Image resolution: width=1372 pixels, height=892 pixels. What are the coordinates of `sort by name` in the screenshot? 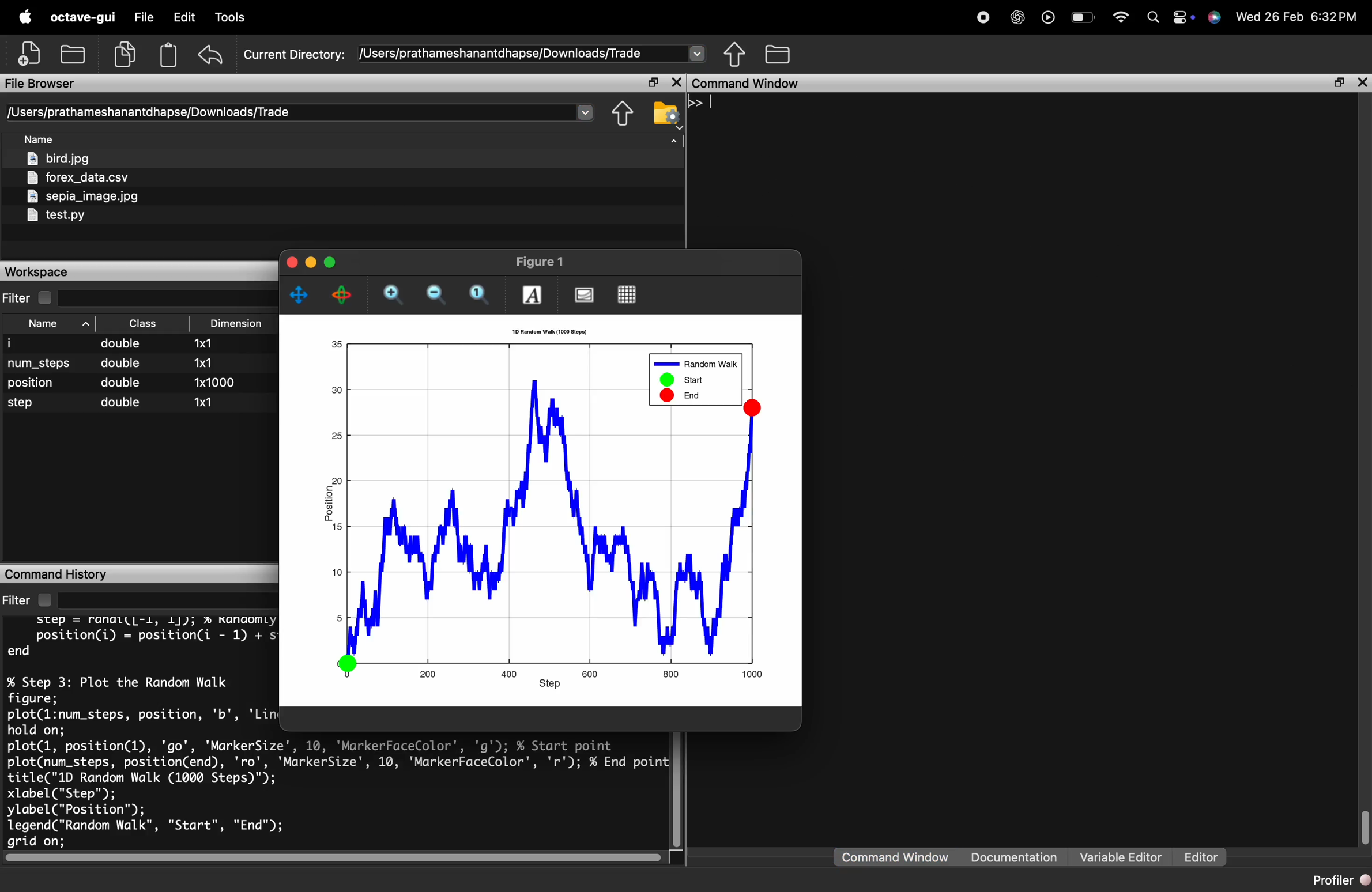 It's located at (43, 141).